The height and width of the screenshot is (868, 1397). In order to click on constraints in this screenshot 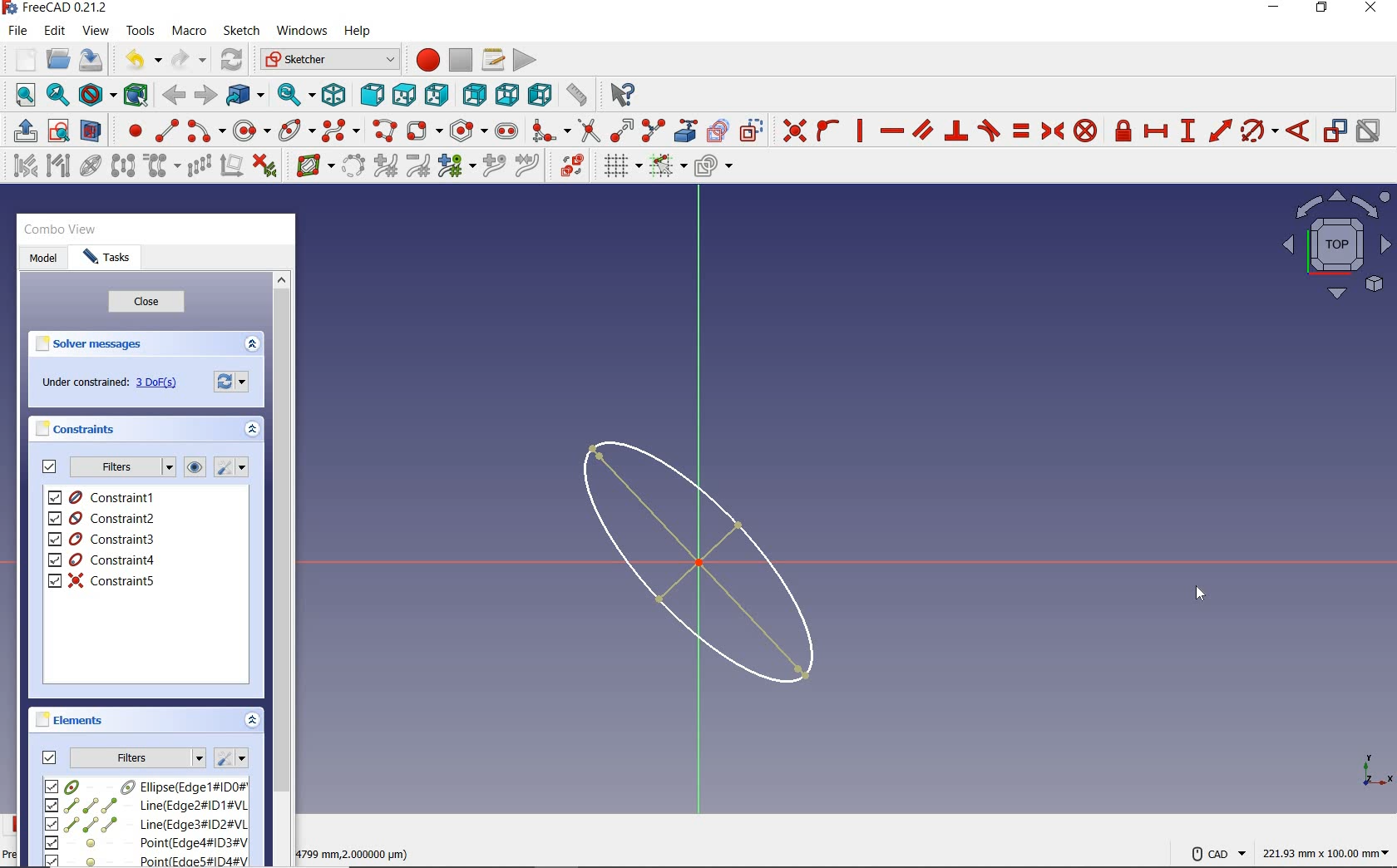, I will do `click(80, 428)`.